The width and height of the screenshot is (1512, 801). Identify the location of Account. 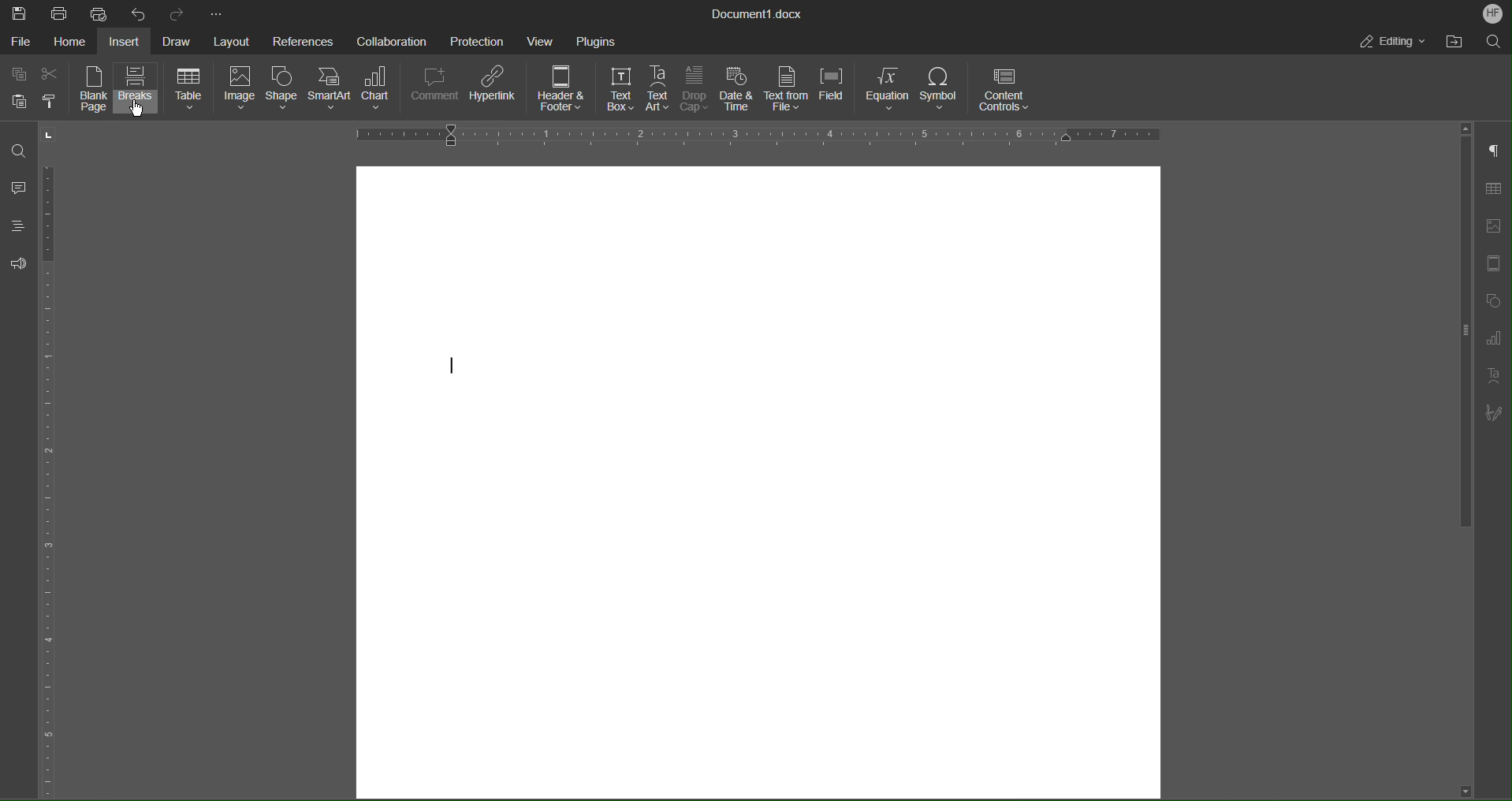
(1492, 14).